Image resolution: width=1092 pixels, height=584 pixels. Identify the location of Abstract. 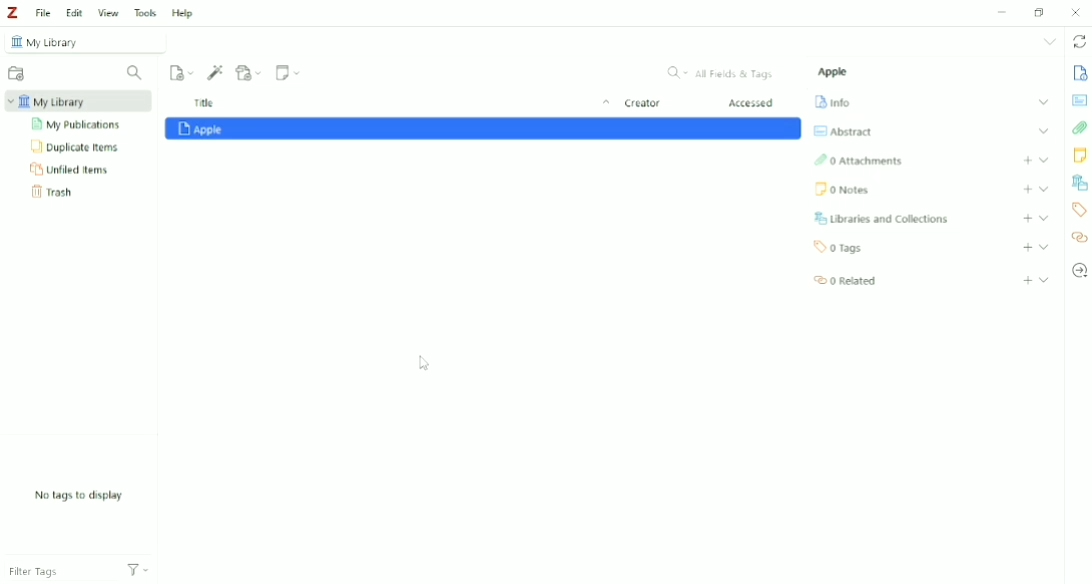
(843, 131).